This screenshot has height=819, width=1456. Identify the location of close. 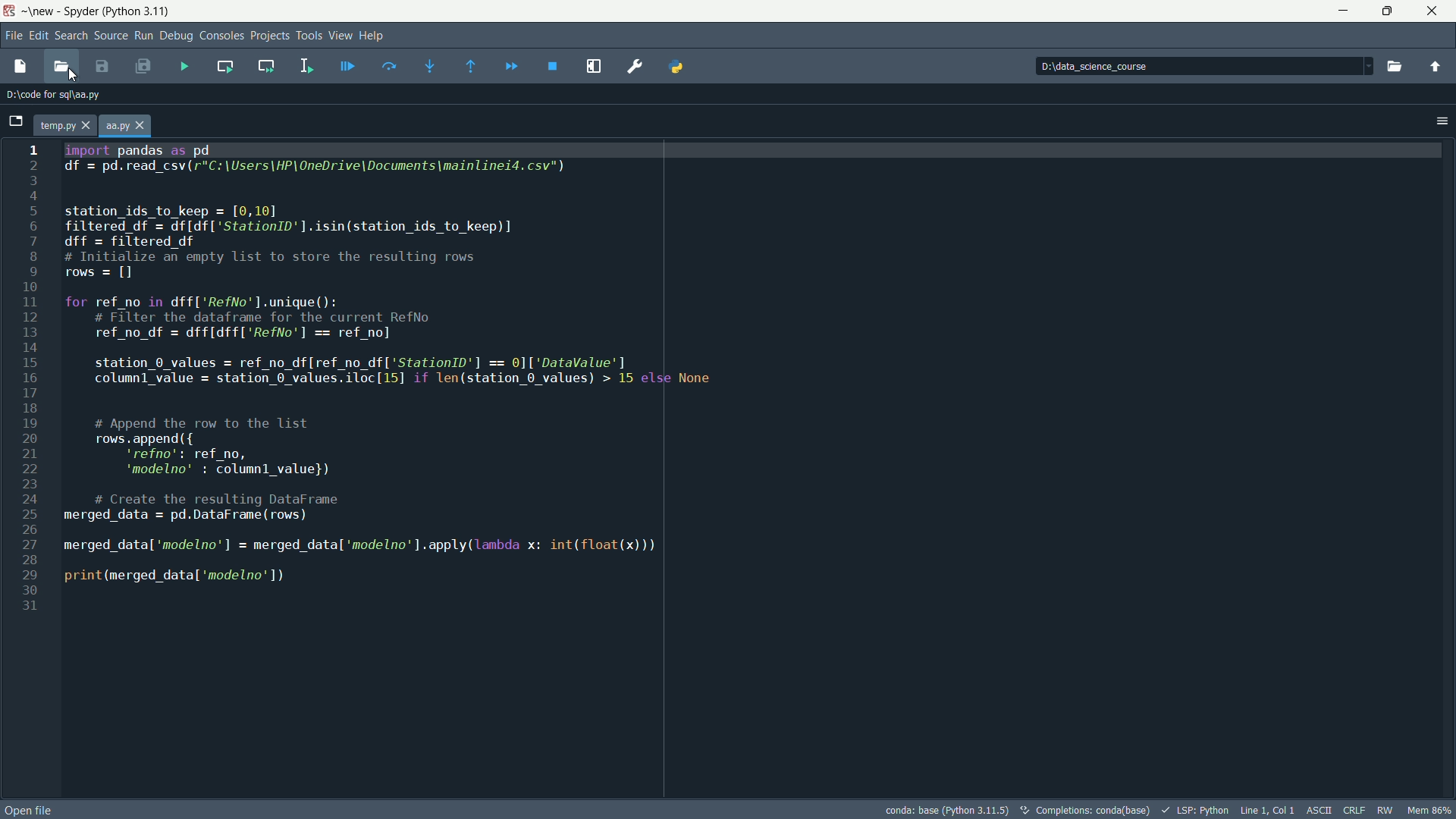
(141, 126).